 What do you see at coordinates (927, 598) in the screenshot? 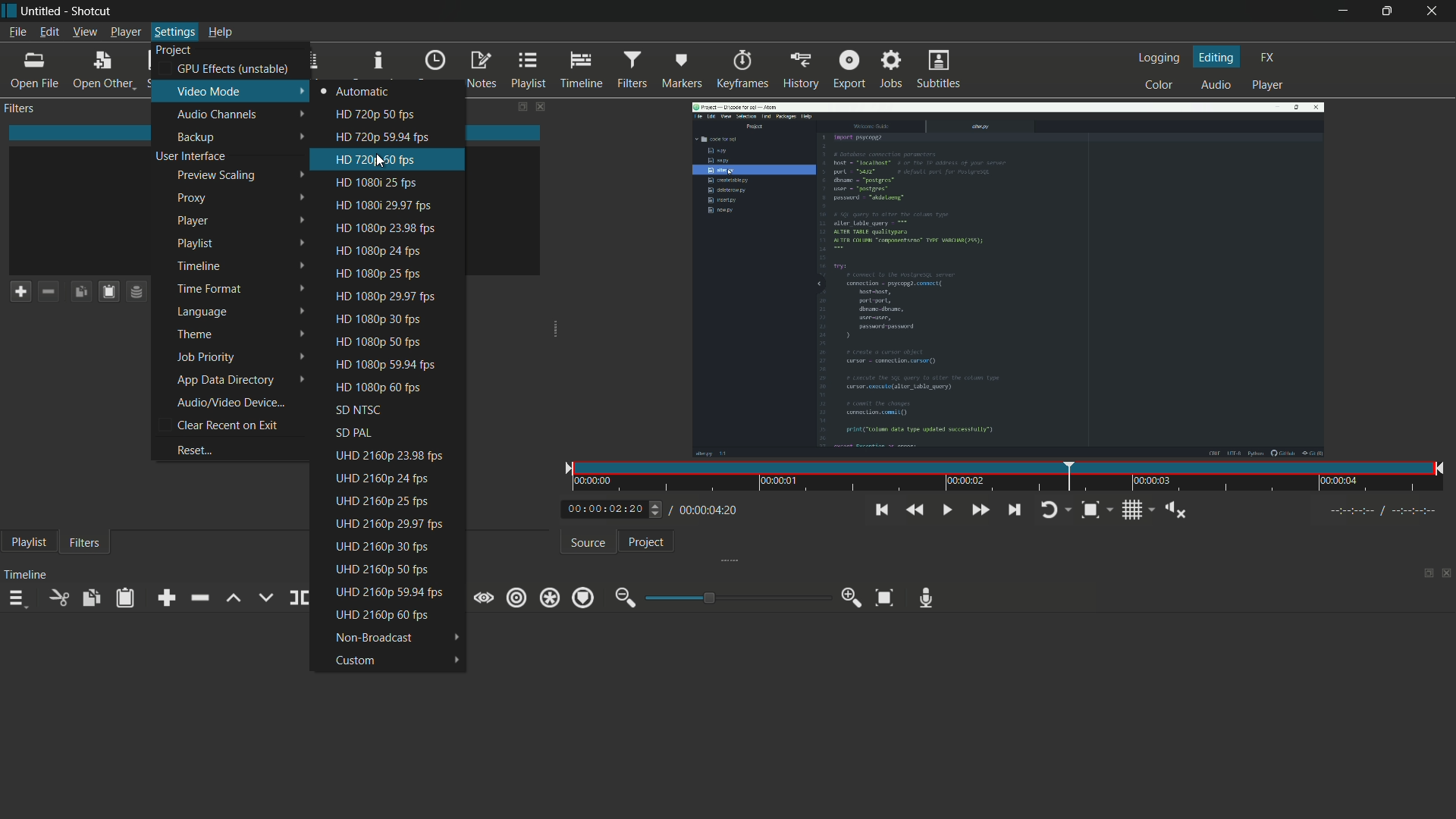
I see `record audio` at bounding box center [927, 598].